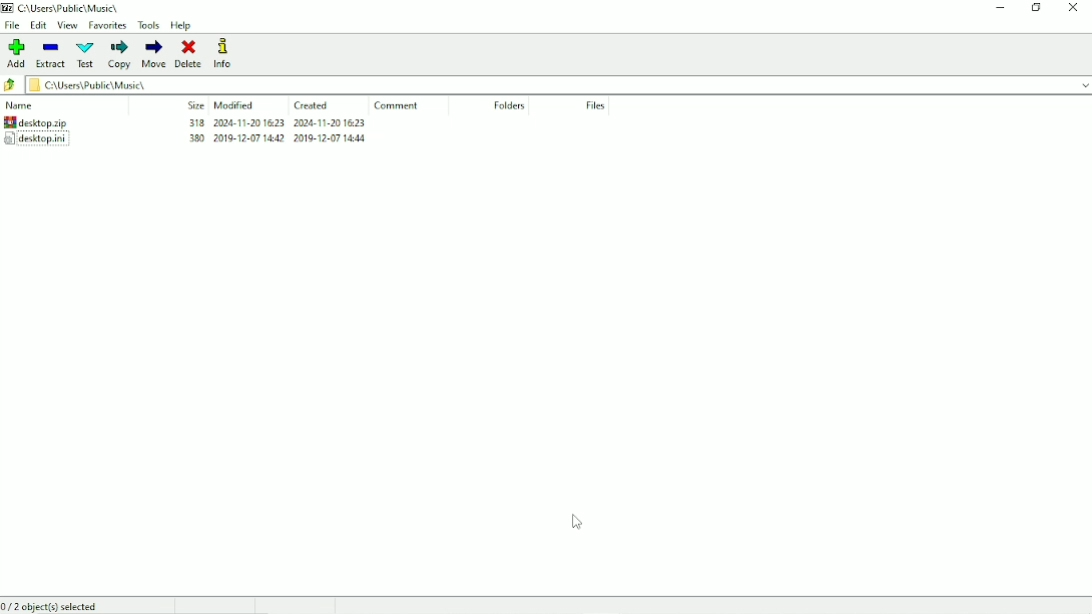  Describe the element at coordinates (1074, 7) in the screenshot. I see `Close` at that location.